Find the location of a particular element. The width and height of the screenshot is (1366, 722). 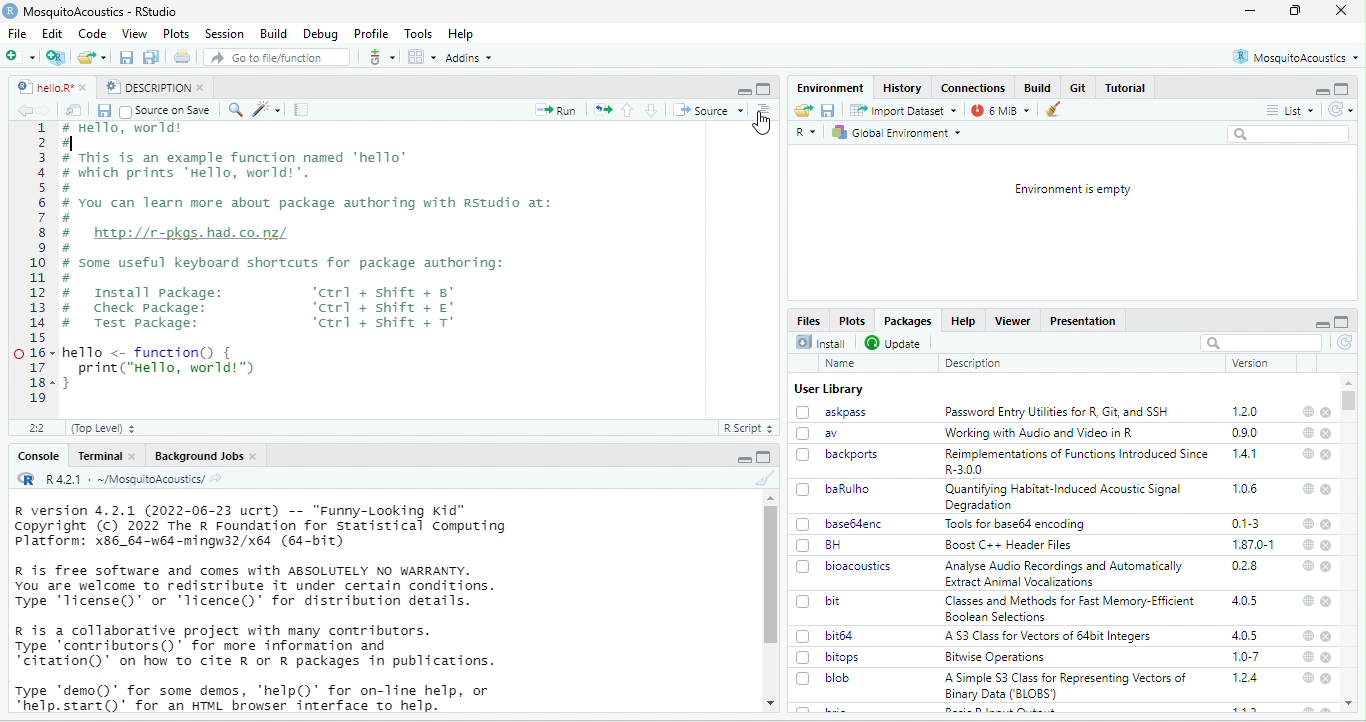

(Top Level) is located at coordinates (105, 428).